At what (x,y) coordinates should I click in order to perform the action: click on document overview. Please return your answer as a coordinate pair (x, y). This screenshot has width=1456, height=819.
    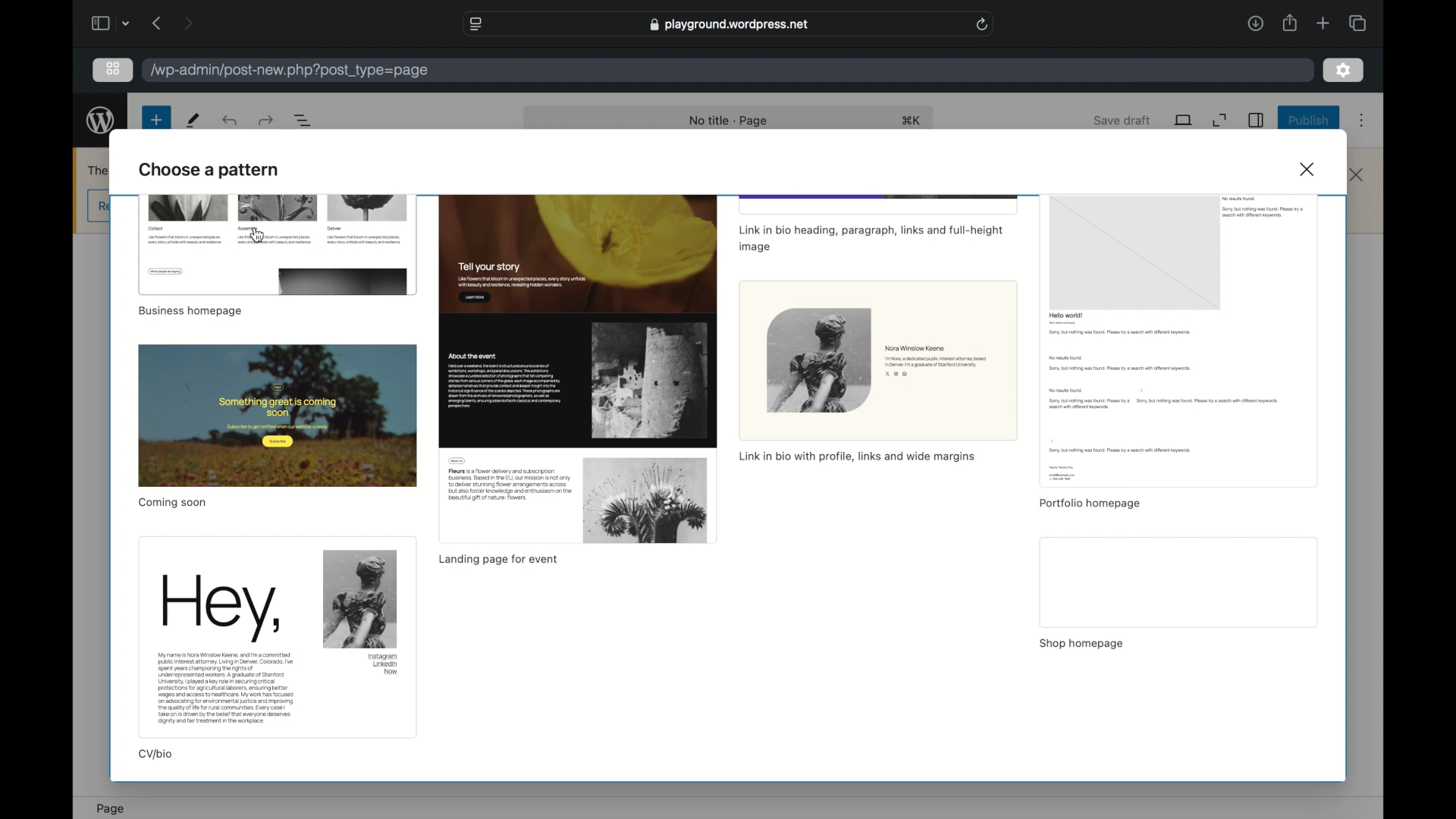
    Looking at the image, I should click on (306, 121).